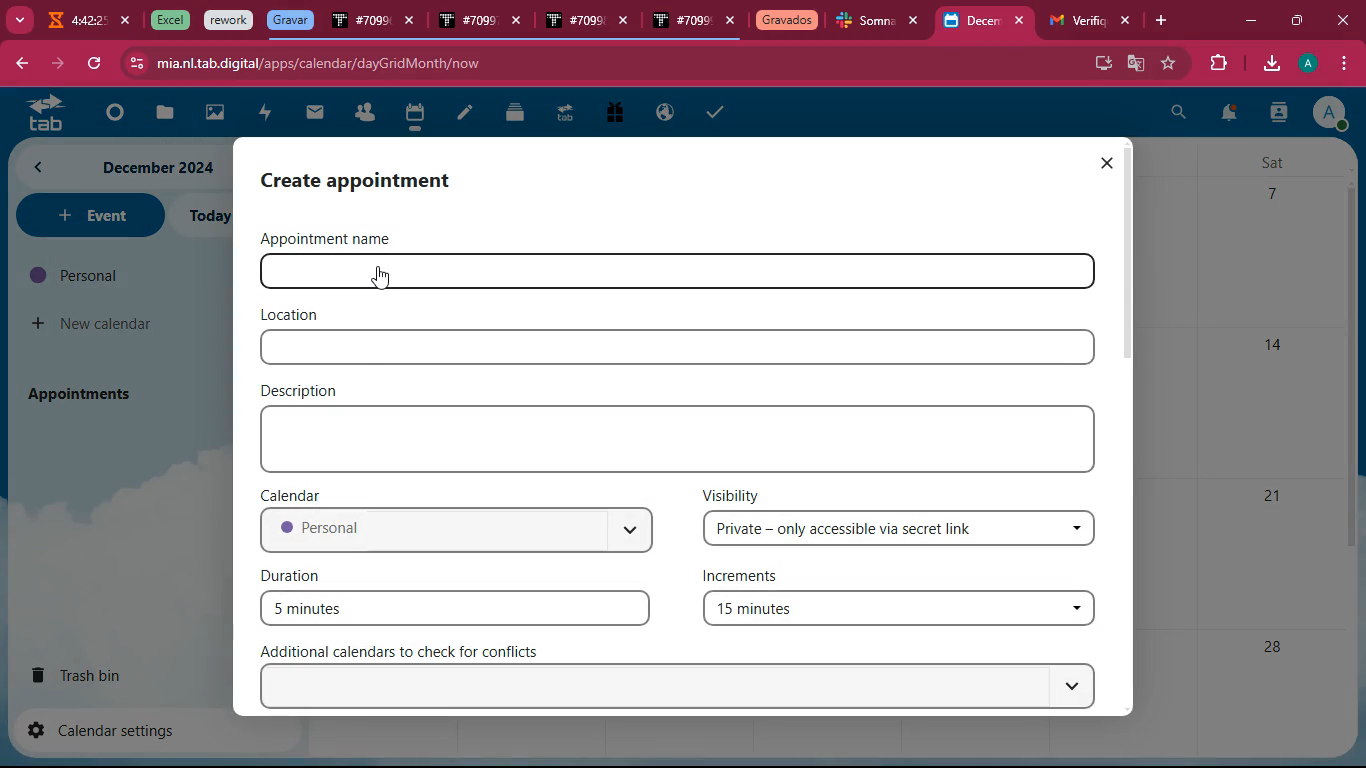 Image resolution: width=1366 pixels, height=768 pixels. Describe the element at coordinates (304, 389) in the screenshot. I see `description` at that location.